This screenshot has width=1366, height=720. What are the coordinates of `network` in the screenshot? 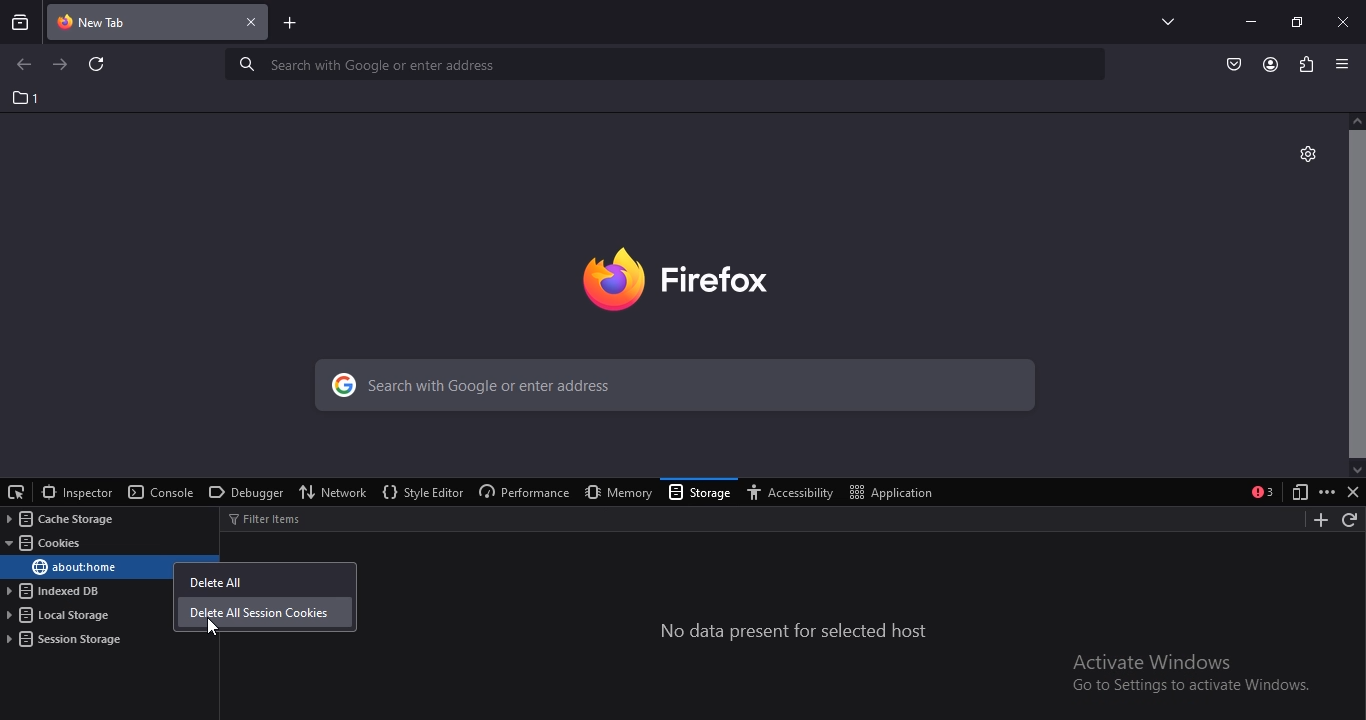 It's located at (335, 491).